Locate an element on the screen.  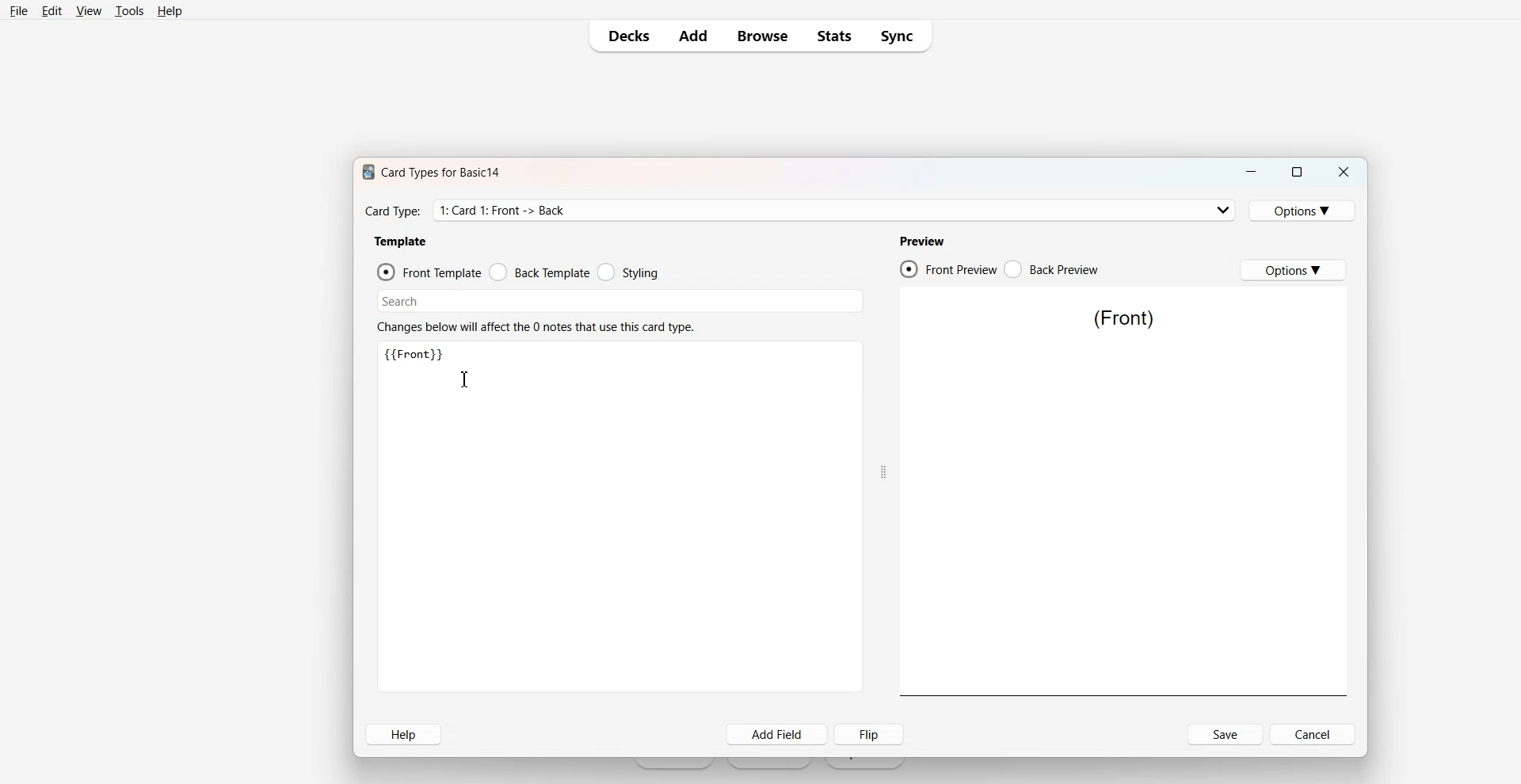
Text is located at coordinates (441, 172).